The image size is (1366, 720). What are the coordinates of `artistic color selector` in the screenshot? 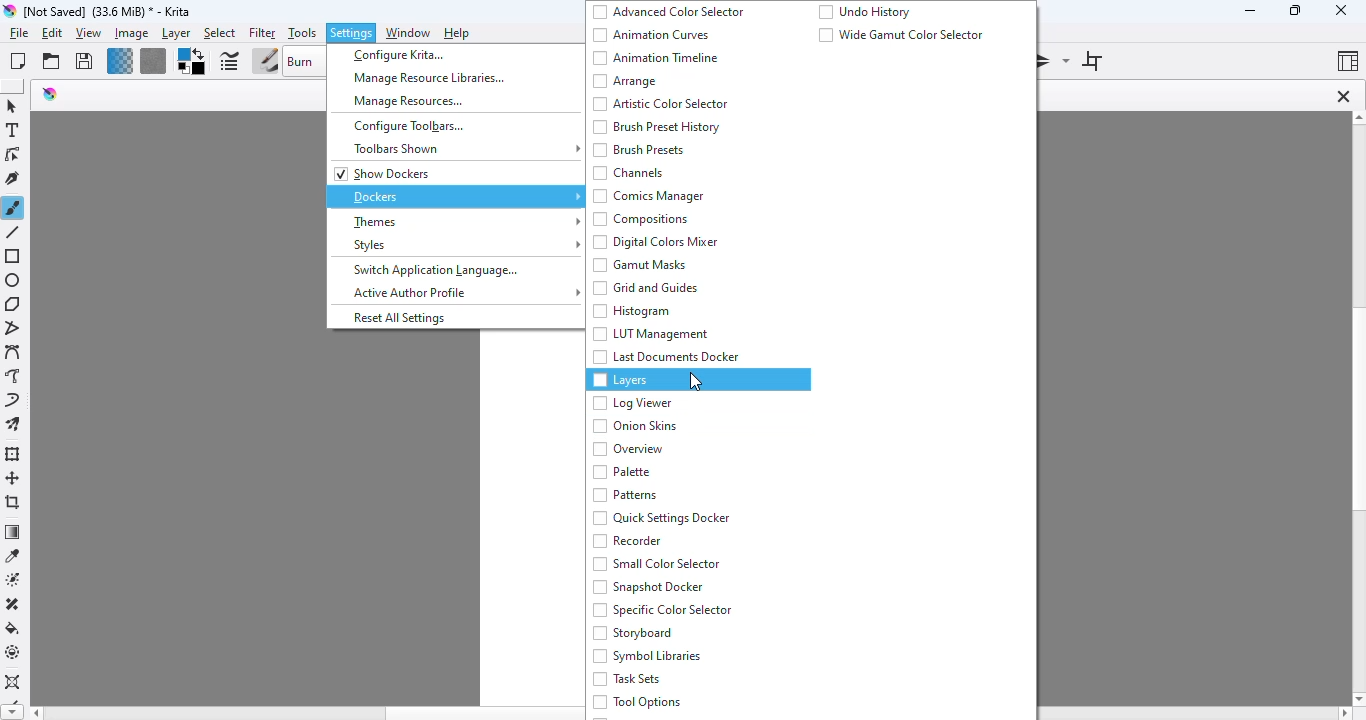 It's located at (663, 104).